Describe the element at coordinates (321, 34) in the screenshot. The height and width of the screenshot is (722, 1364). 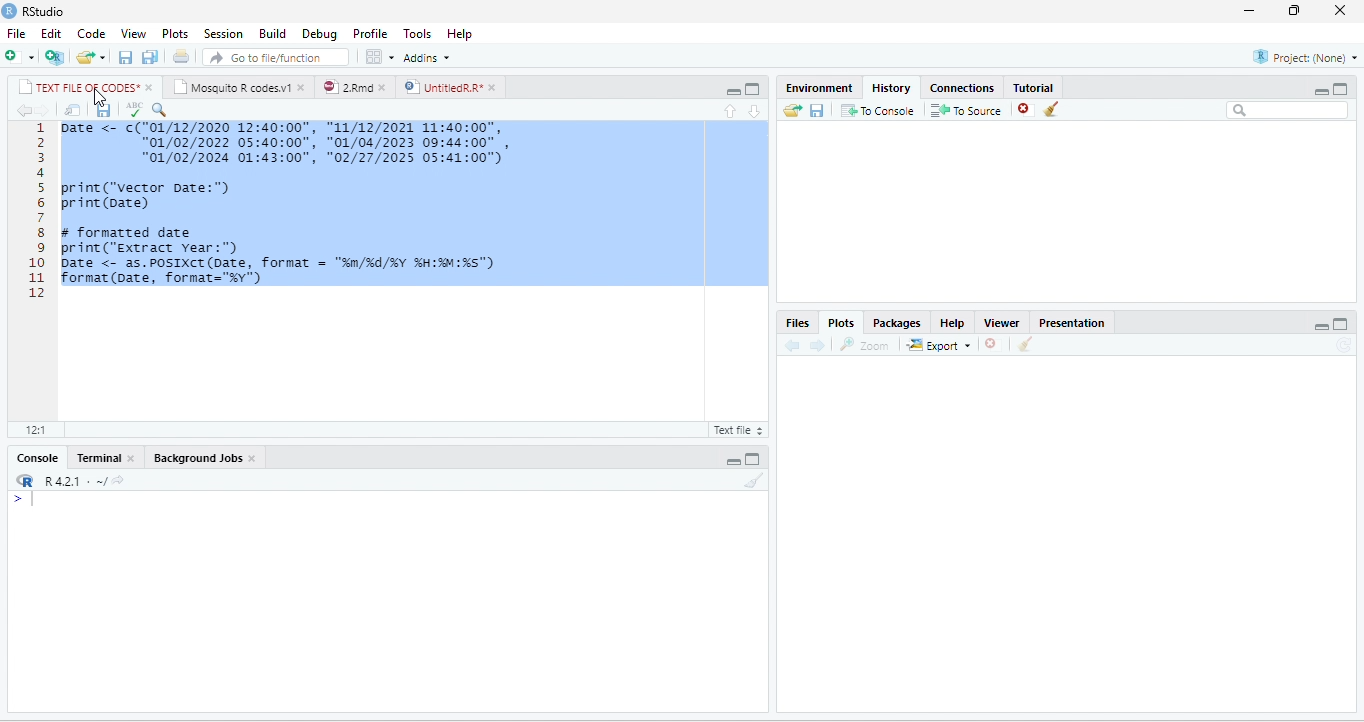
I see `Debug` at that location.